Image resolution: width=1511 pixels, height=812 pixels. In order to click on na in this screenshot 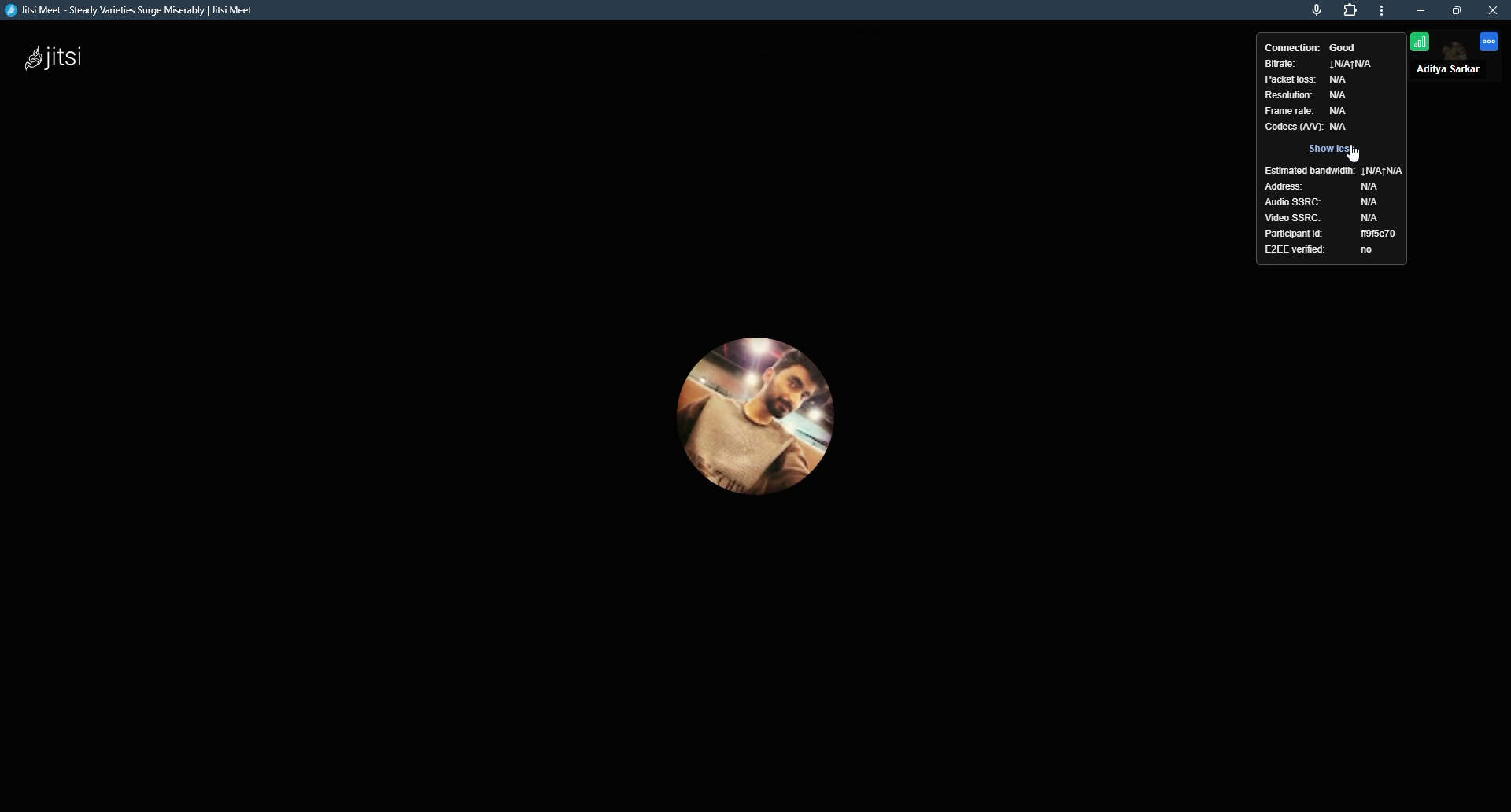, I will do `click(1373, 217)`.